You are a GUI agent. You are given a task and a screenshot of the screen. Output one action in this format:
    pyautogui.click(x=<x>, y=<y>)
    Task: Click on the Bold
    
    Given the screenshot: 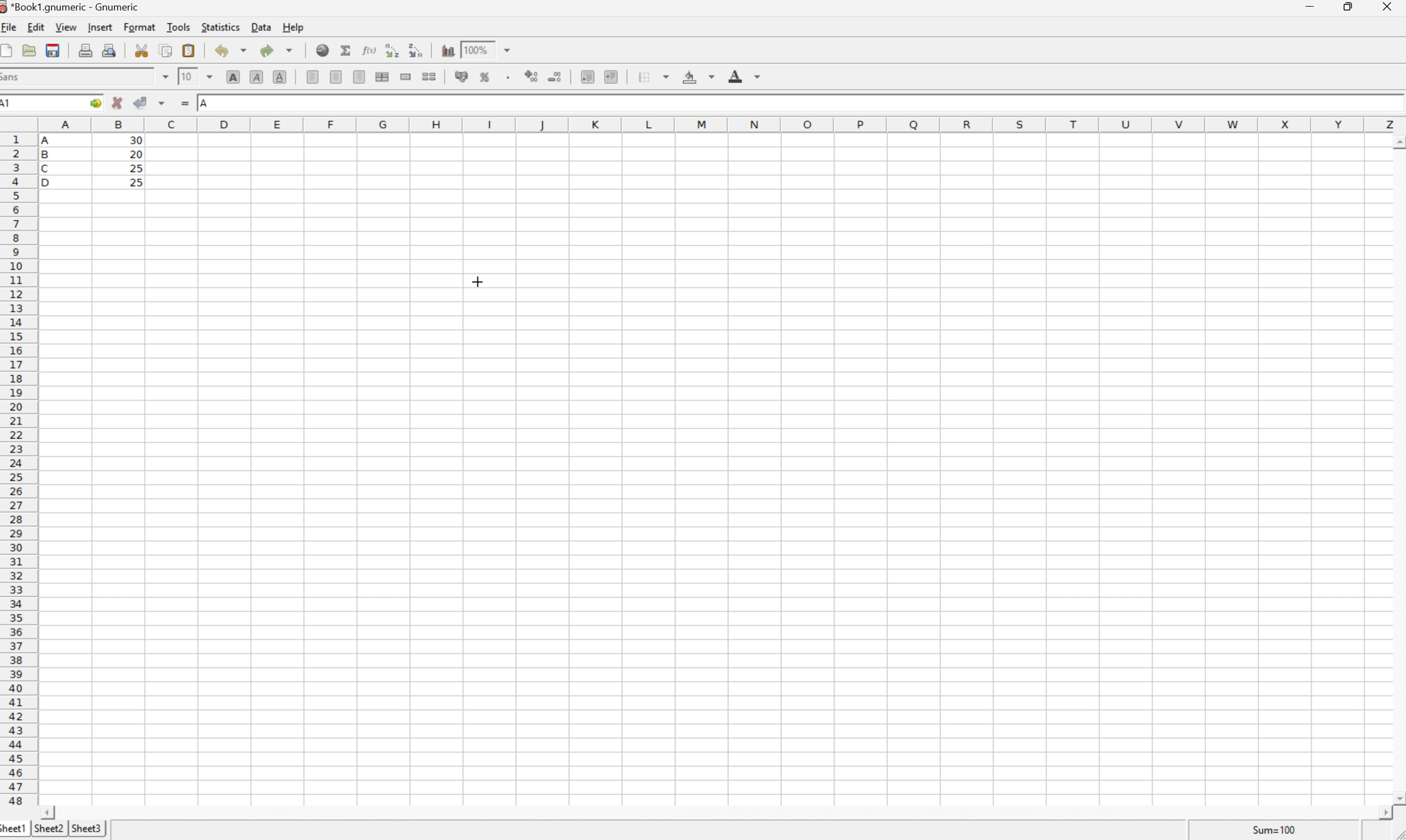 What is the action you would take?
    pyautogui.click(x=233, y=77)
    